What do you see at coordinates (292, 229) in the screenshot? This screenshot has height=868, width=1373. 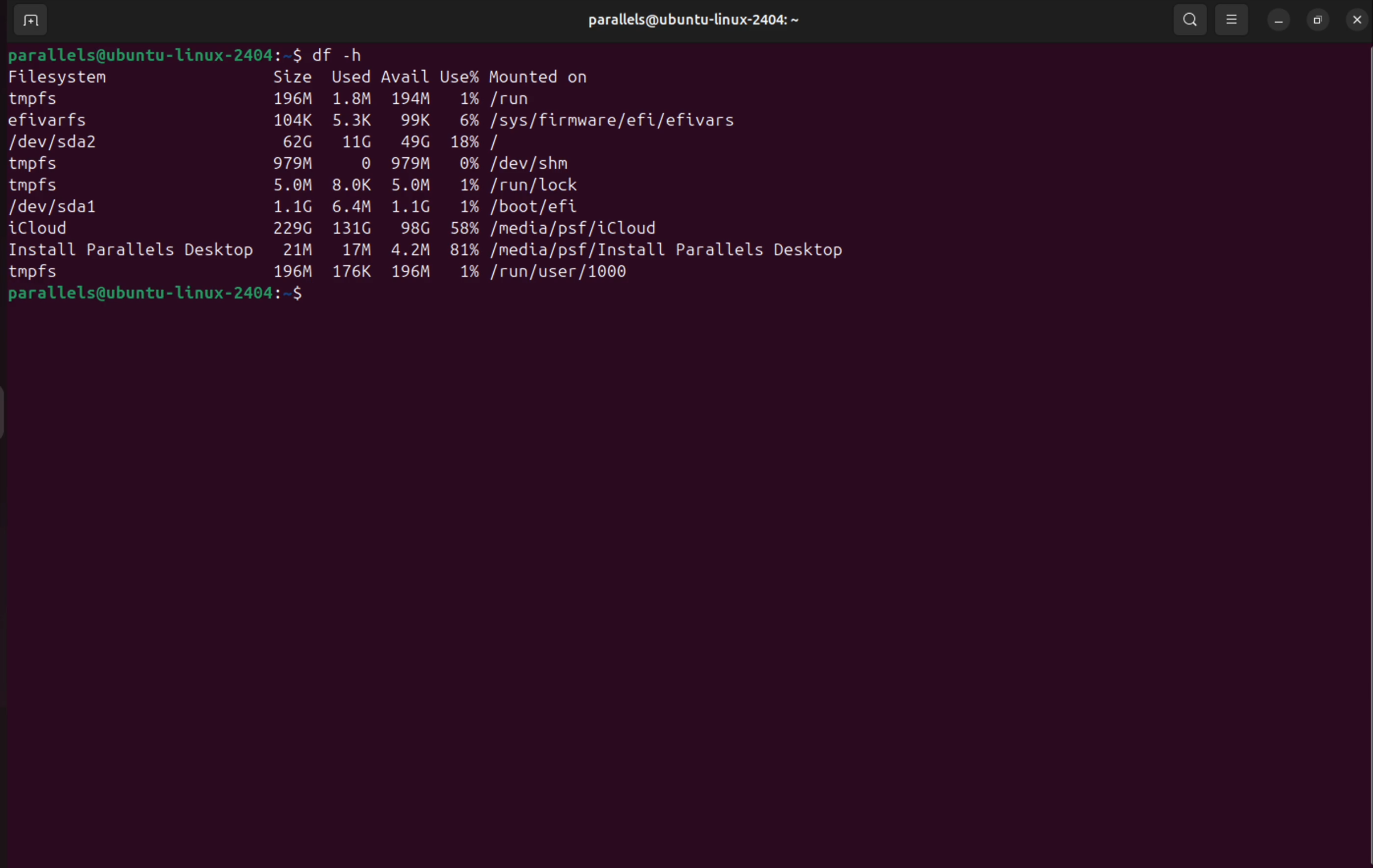 I see `229 G` at bounding box center [292, 229].